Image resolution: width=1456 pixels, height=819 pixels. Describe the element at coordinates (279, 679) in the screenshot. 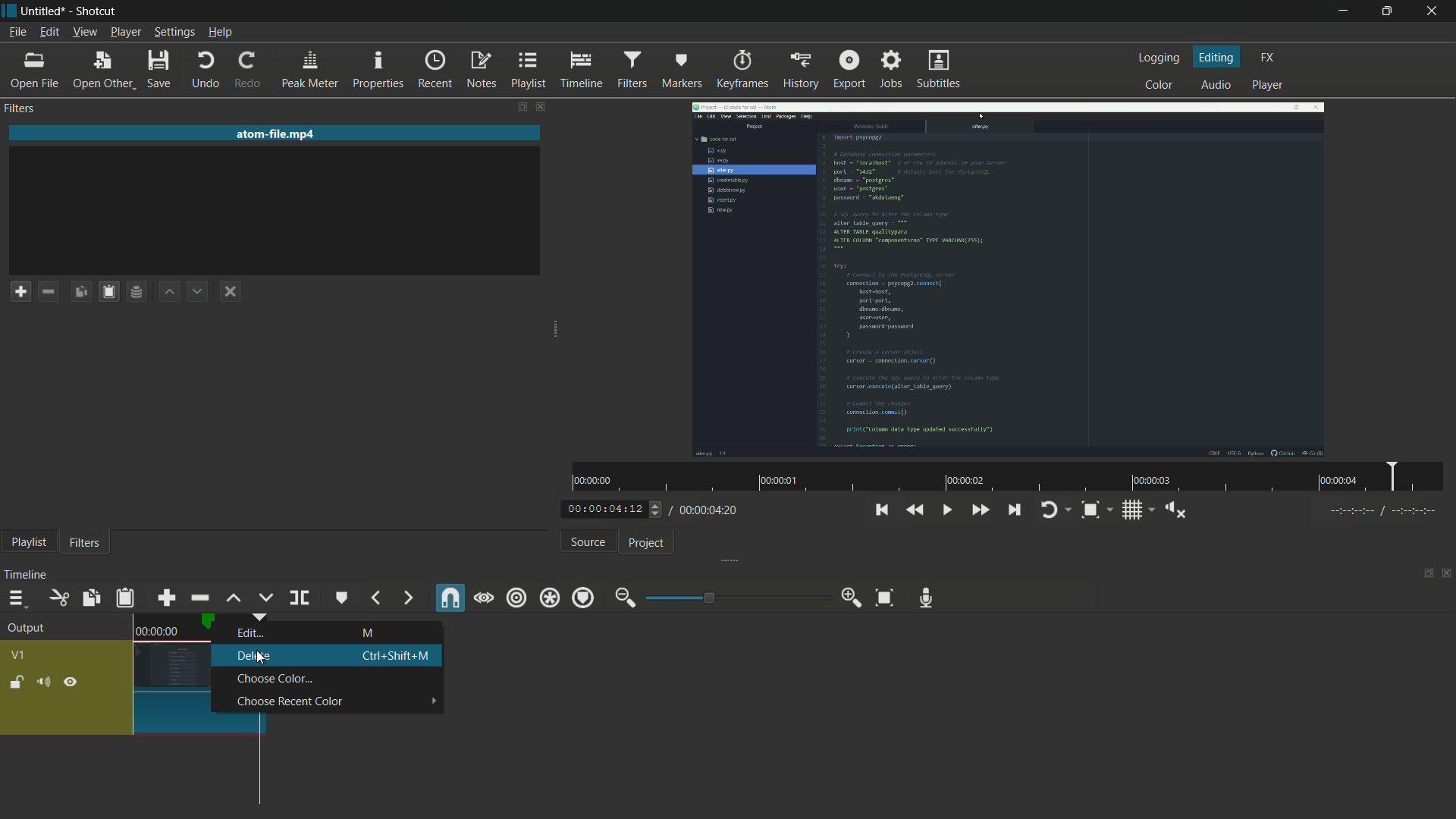

I see `choose color` at that location.